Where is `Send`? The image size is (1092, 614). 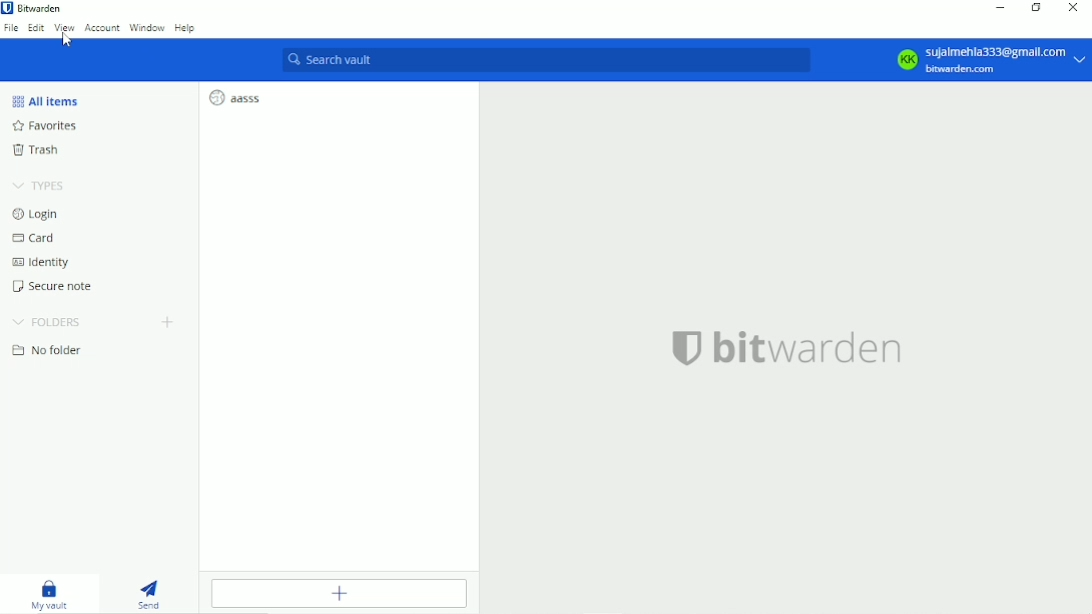 Send is located at coordinates (152, 592).